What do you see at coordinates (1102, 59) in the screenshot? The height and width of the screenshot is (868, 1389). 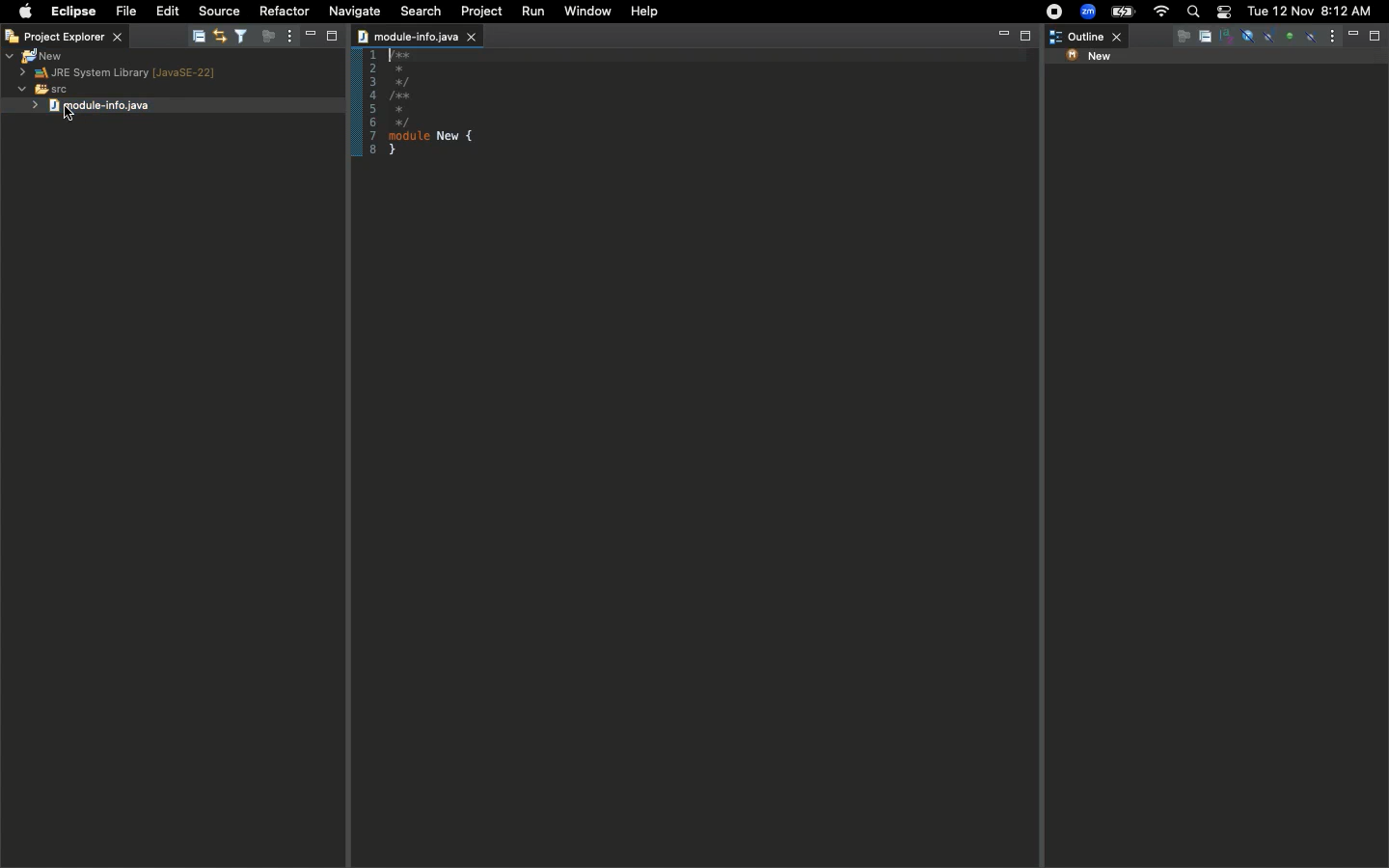 I see `New` at bounding box center [1102, 59].